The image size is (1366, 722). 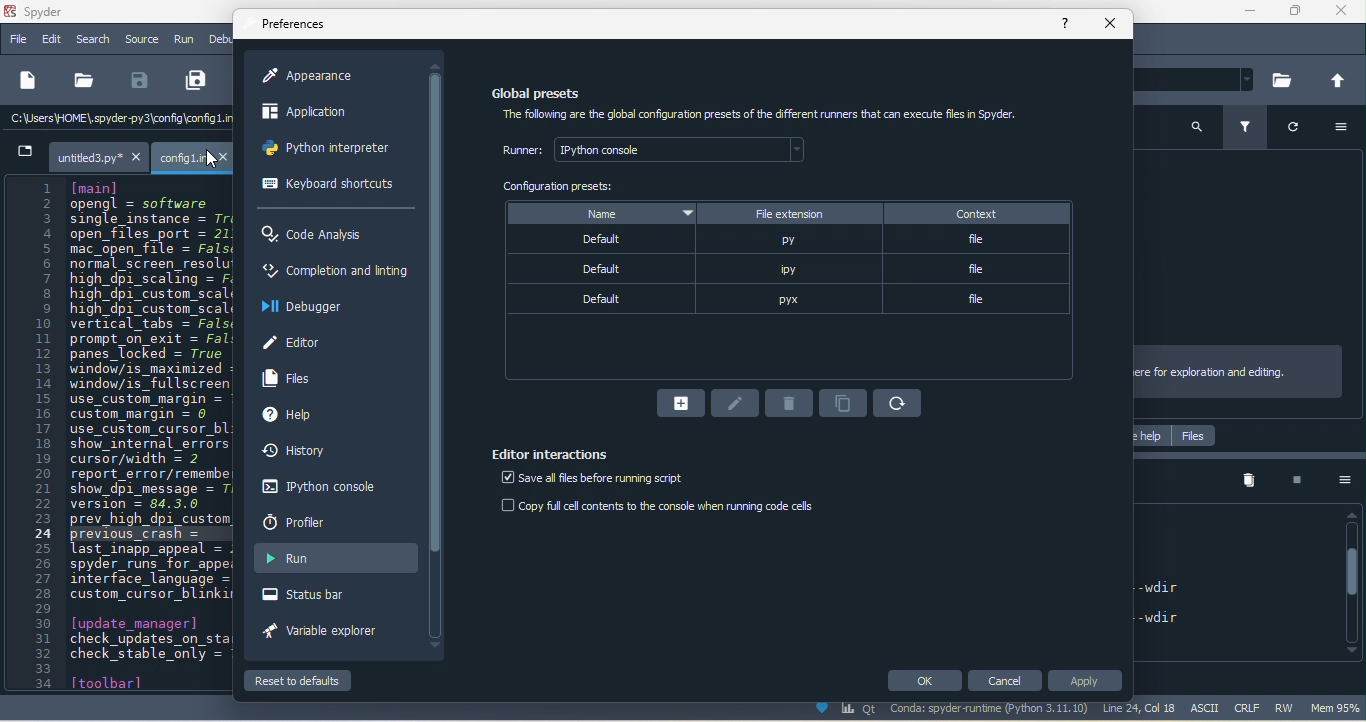 I want to click on new parameter, so click(x=682, y=402).